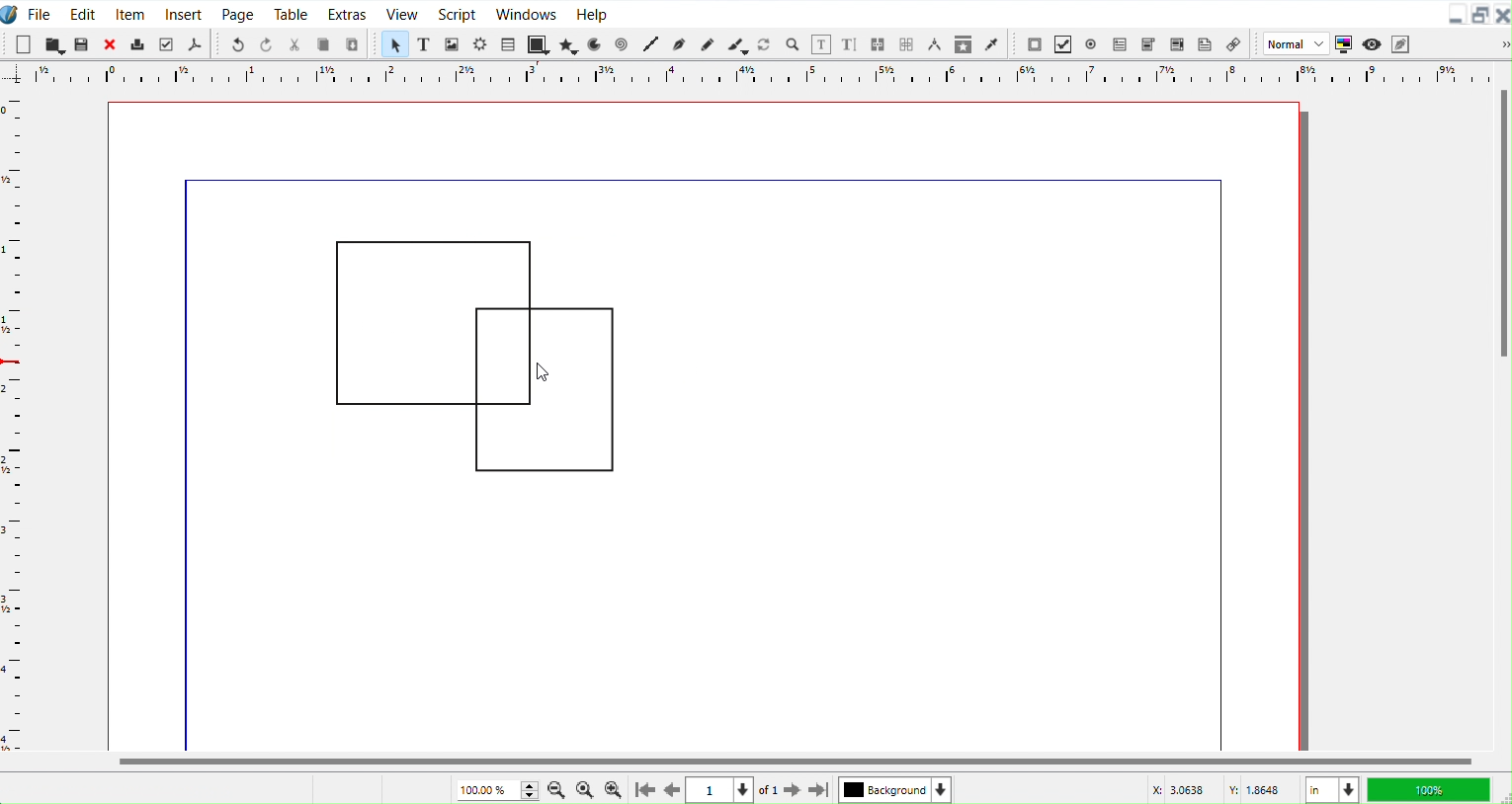 The image size is (1512, 804). I want to click on Image Frame, so click(453, 43).